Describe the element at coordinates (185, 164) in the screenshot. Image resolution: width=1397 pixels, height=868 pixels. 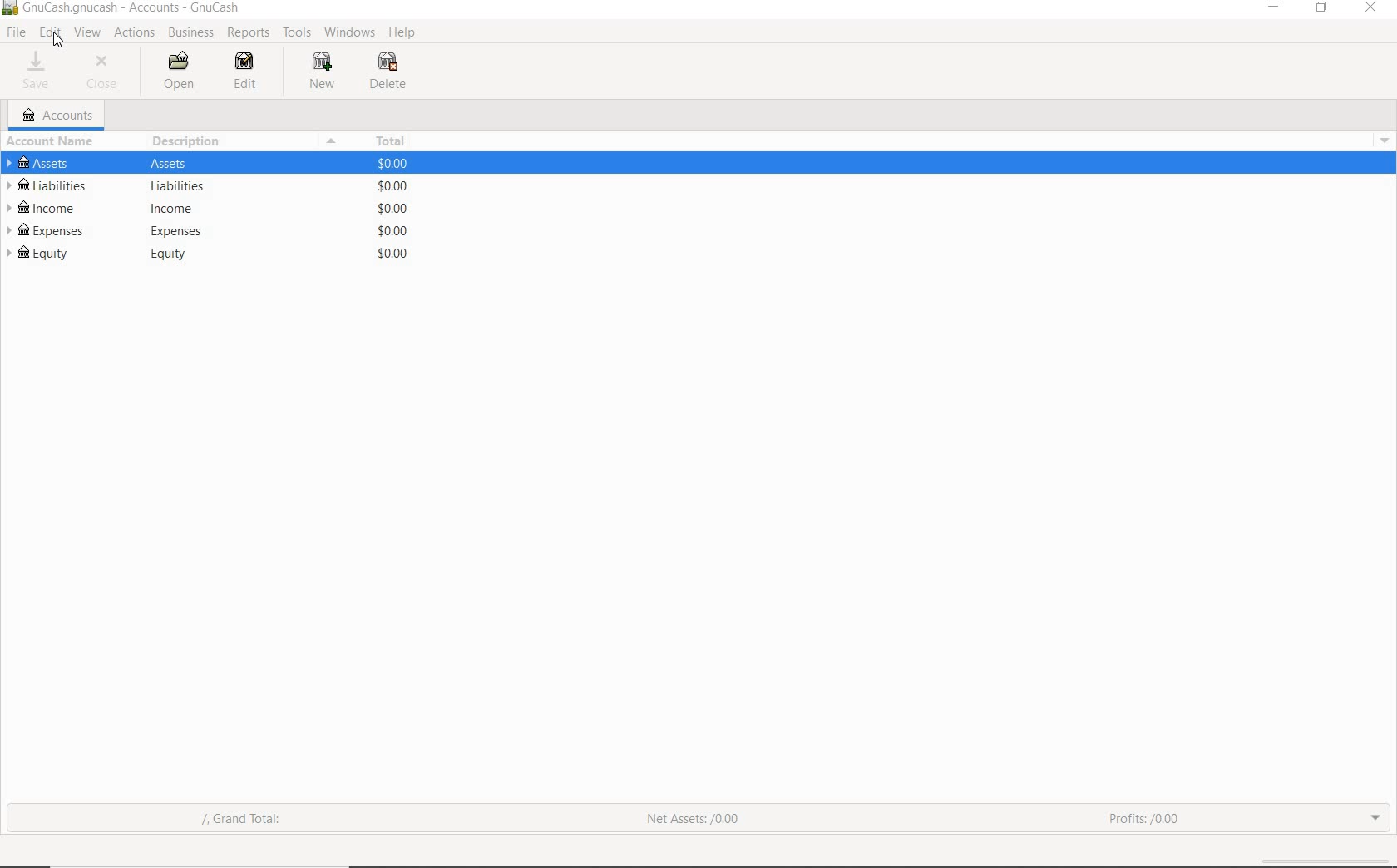
I see `` at that location.